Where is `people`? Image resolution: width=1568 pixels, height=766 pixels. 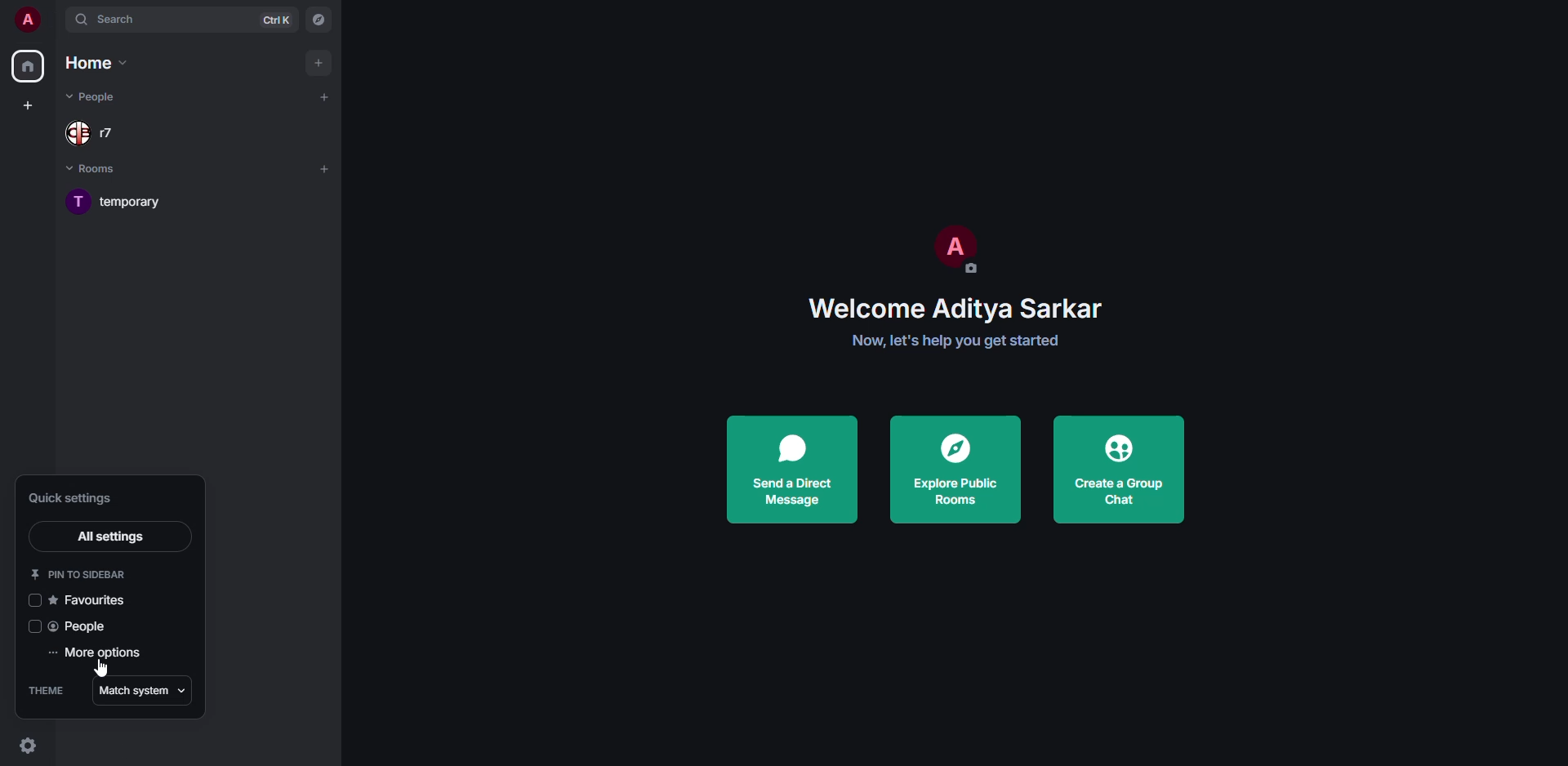 people is located at coordinates (94, 97).